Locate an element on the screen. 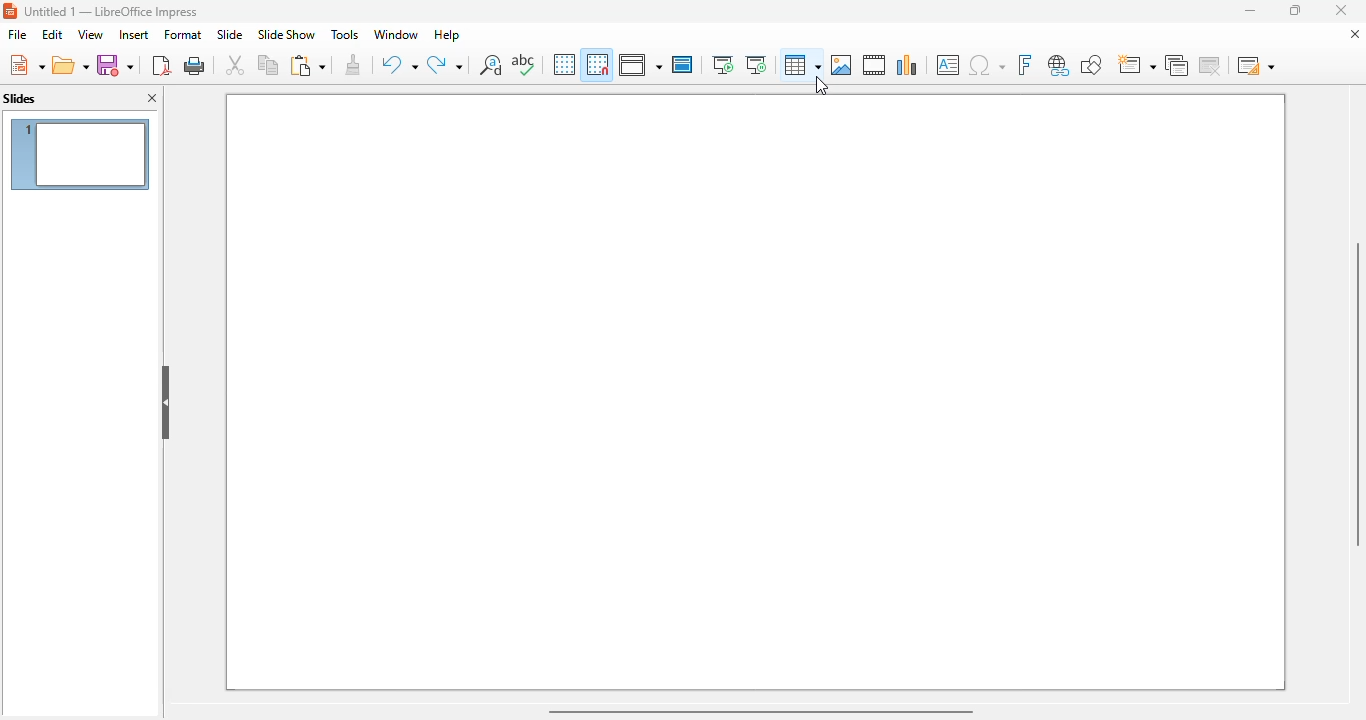 This screenshot has width=1366, height=720. insert audio or video is located at coordinates (874, 64).